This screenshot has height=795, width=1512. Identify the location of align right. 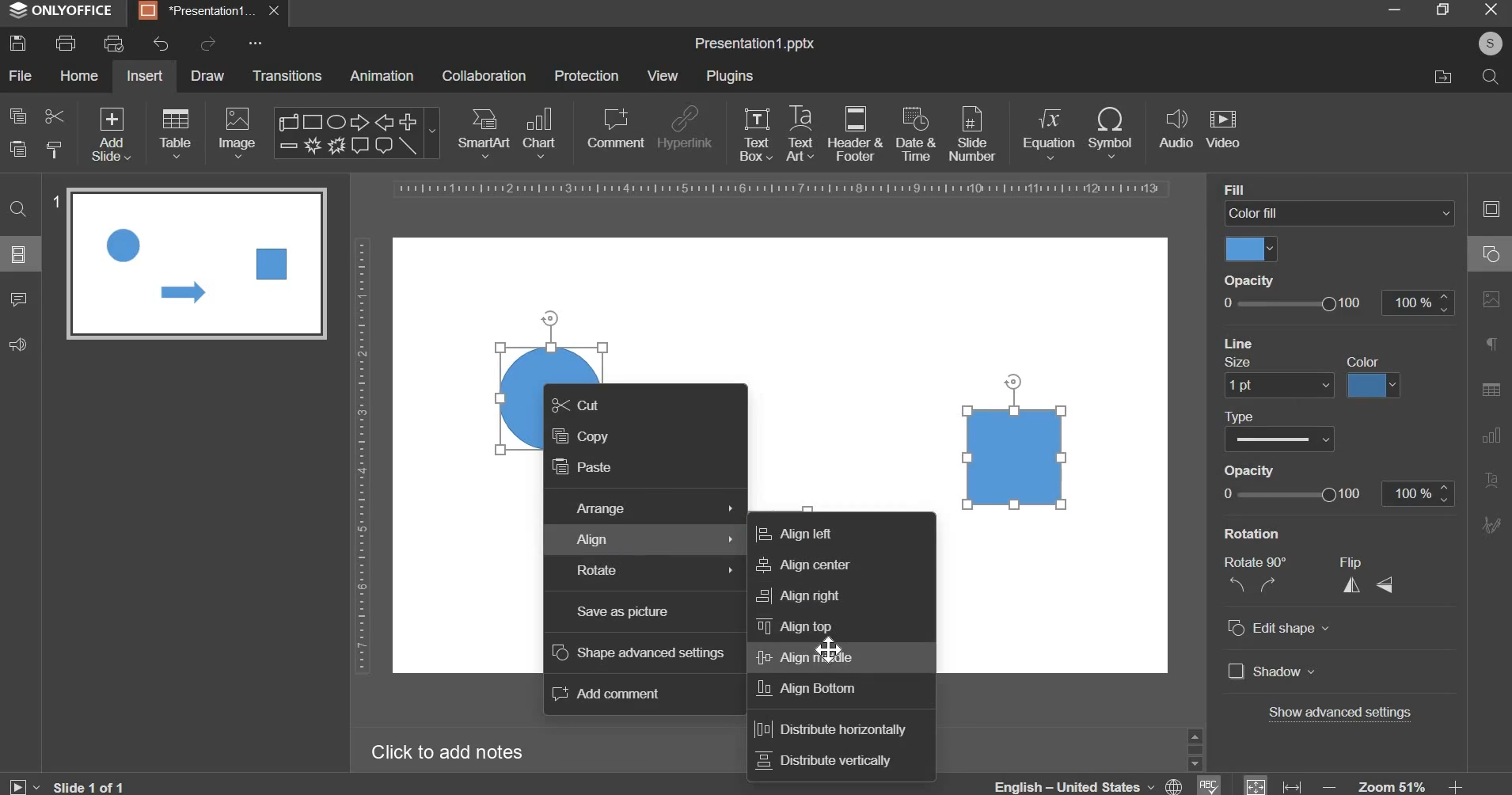
(798, 595).